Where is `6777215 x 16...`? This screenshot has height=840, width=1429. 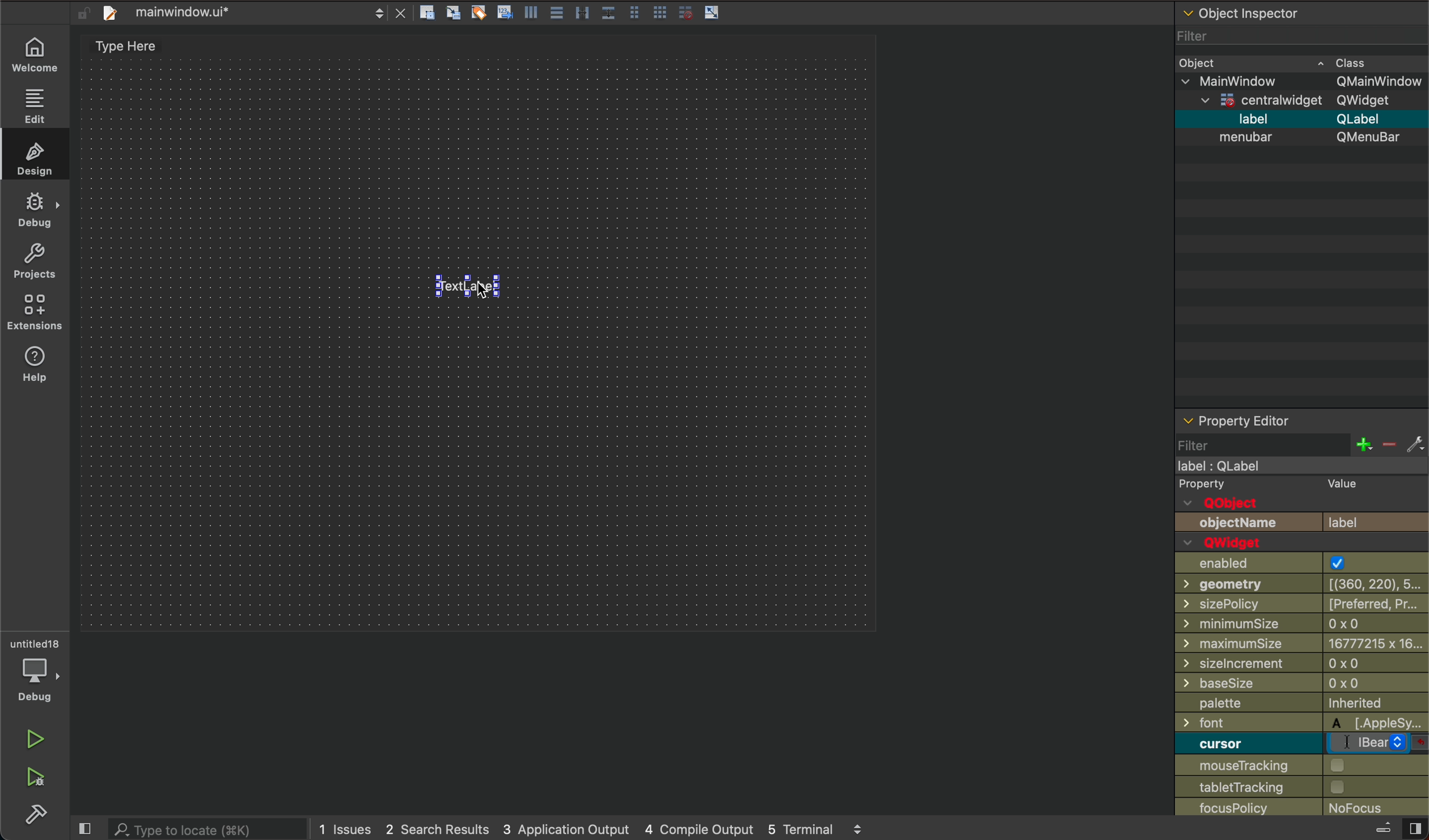 6777215 x 16... is located at coordinates (1373, 643).